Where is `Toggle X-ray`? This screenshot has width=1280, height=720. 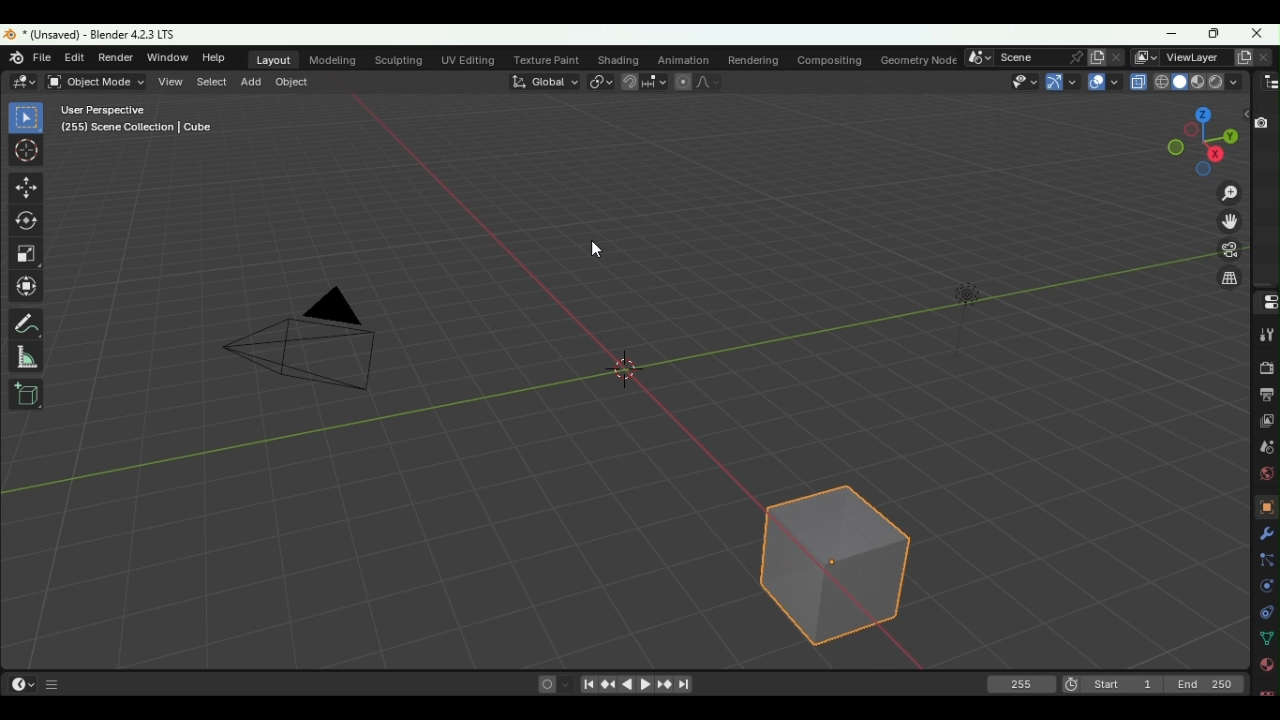
Toggle X-ray is located at coordinates (1137, 81).